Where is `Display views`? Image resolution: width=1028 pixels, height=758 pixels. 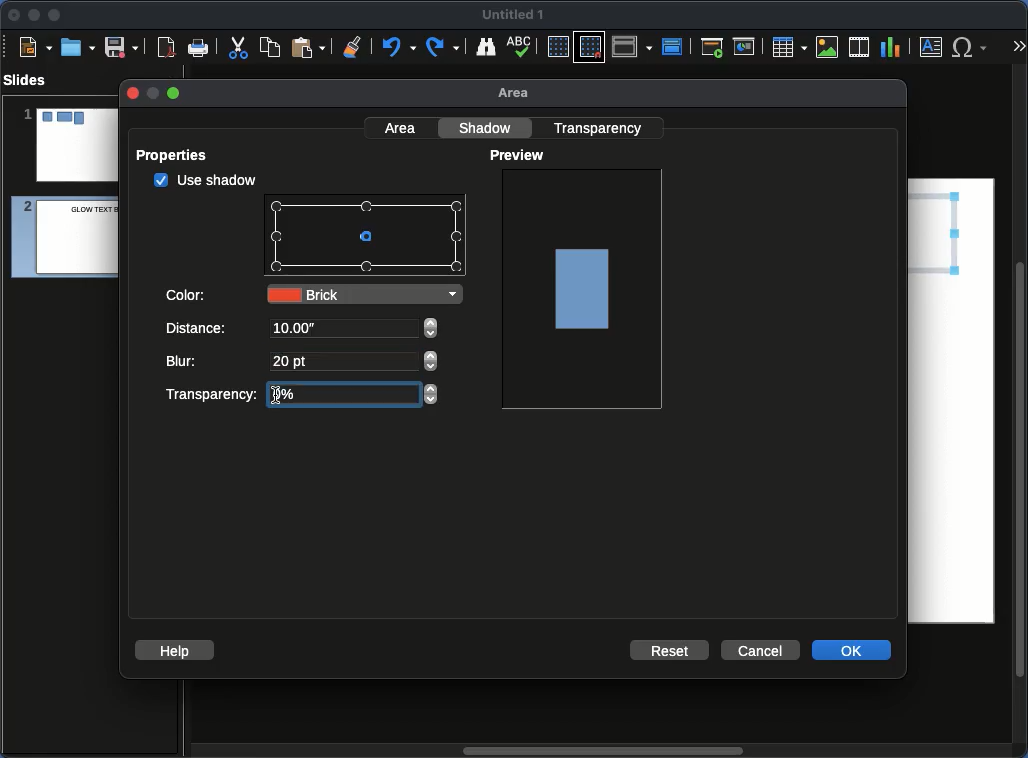
Display views is located at coordinates (635, 45).